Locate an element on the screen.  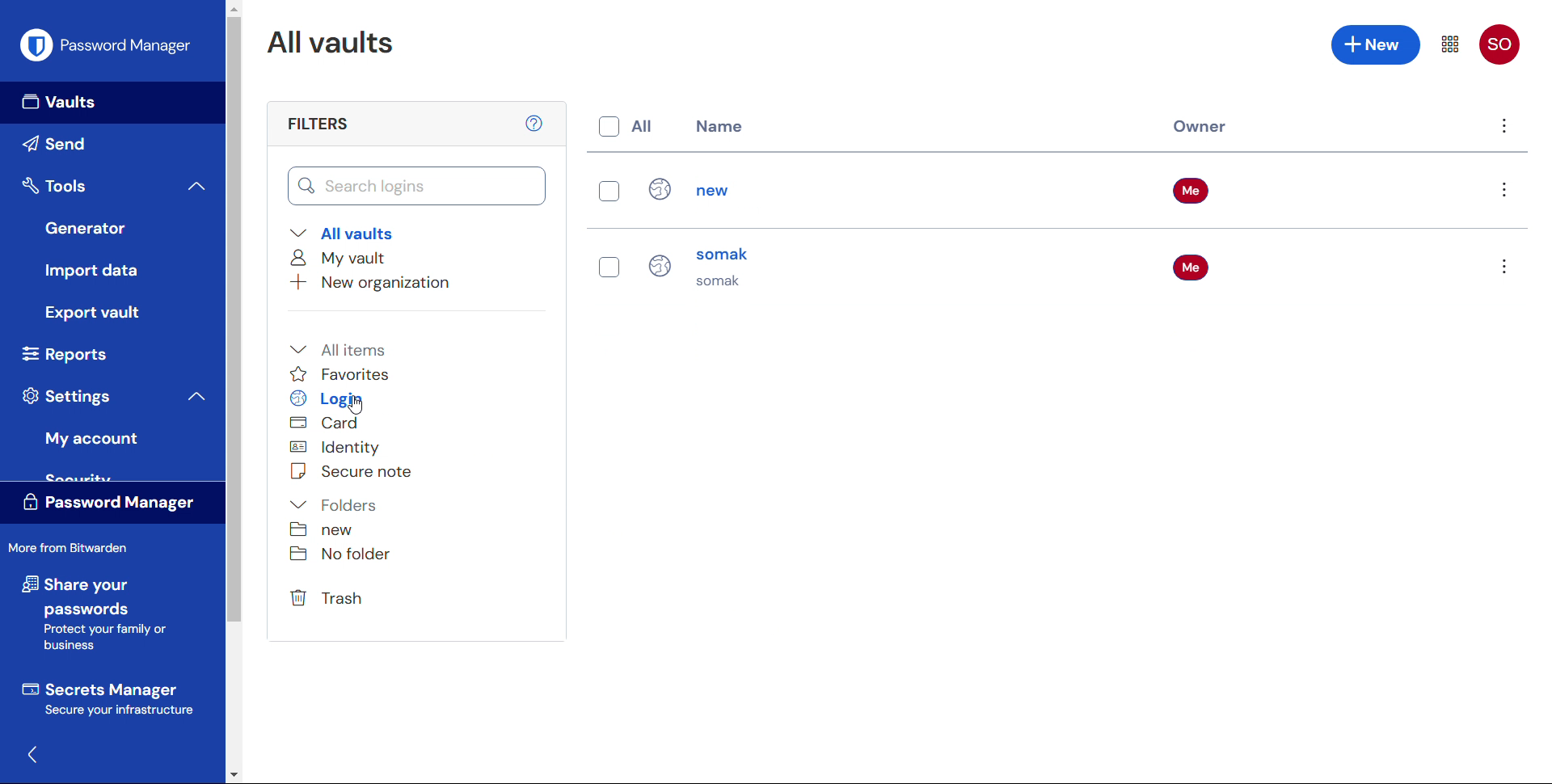
Reports  is located at coordinates (67, 353).